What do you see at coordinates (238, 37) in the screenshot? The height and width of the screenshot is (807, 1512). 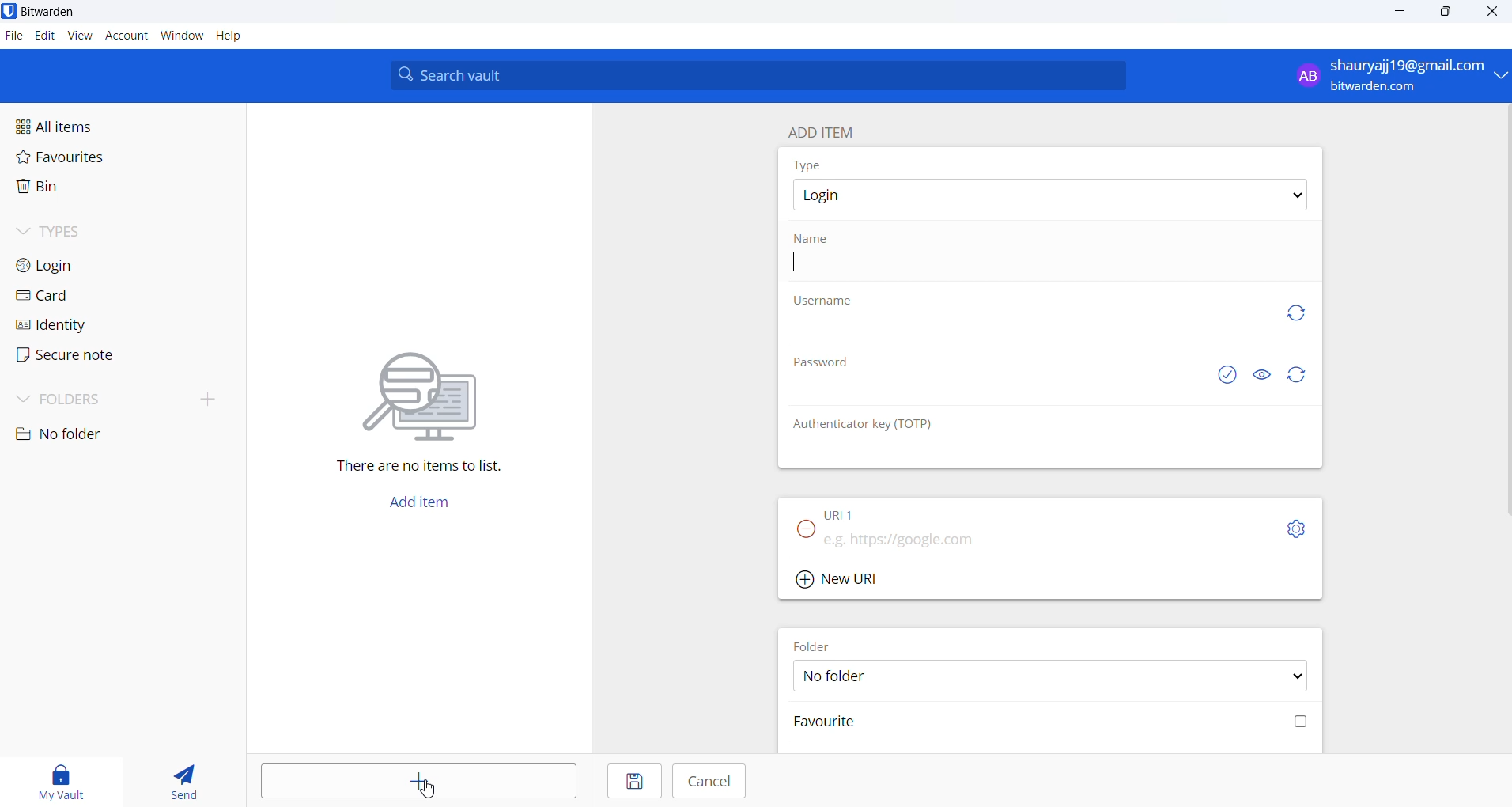 I see `Help` at bounding box center [238, 37].